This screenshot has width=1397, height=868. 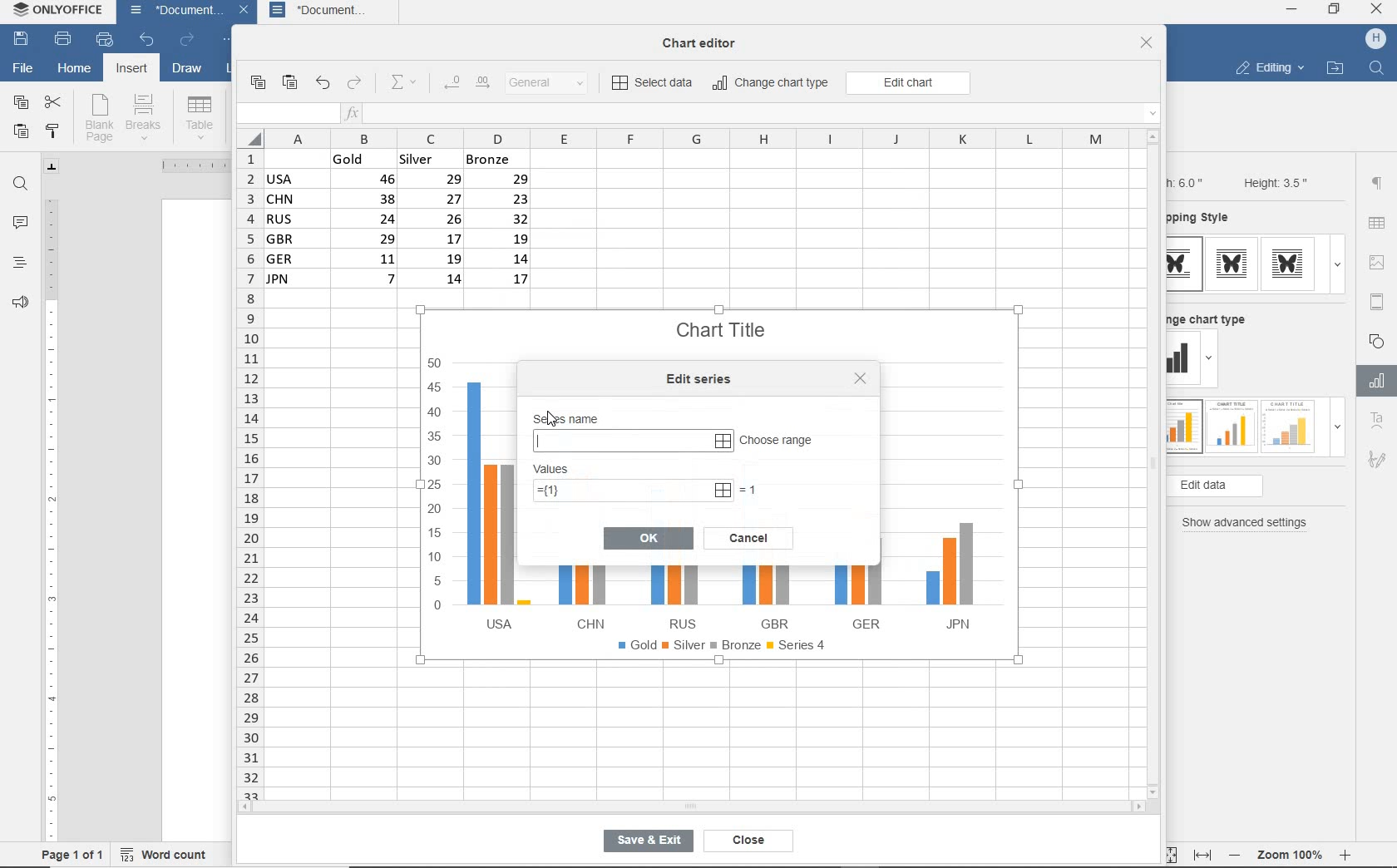 I want to click on change chart type, so click(x=1213, y=317).